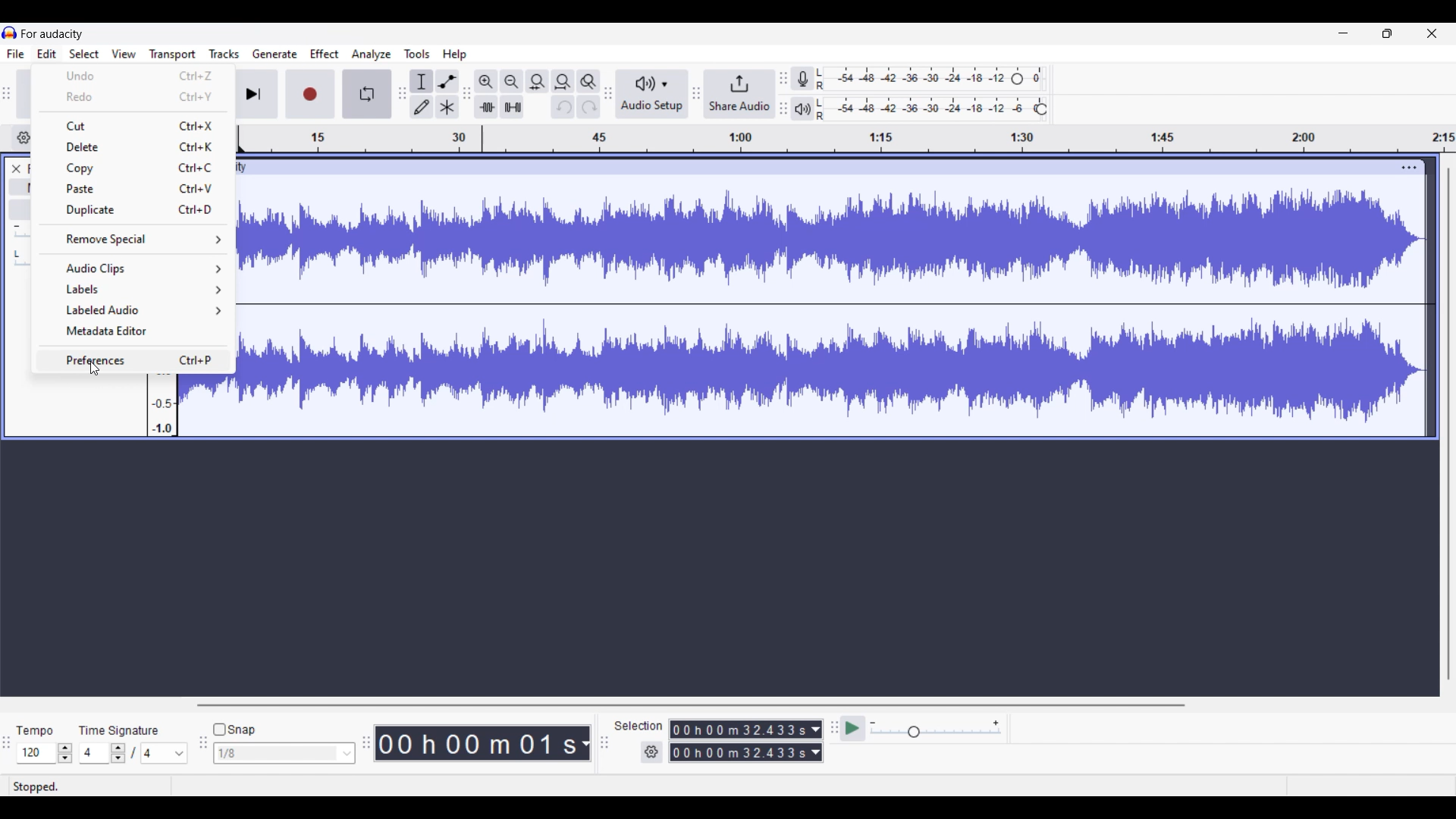  Describe the element at coordinates (803, 108) in the screenshot. I see `Playback meter` at that location.